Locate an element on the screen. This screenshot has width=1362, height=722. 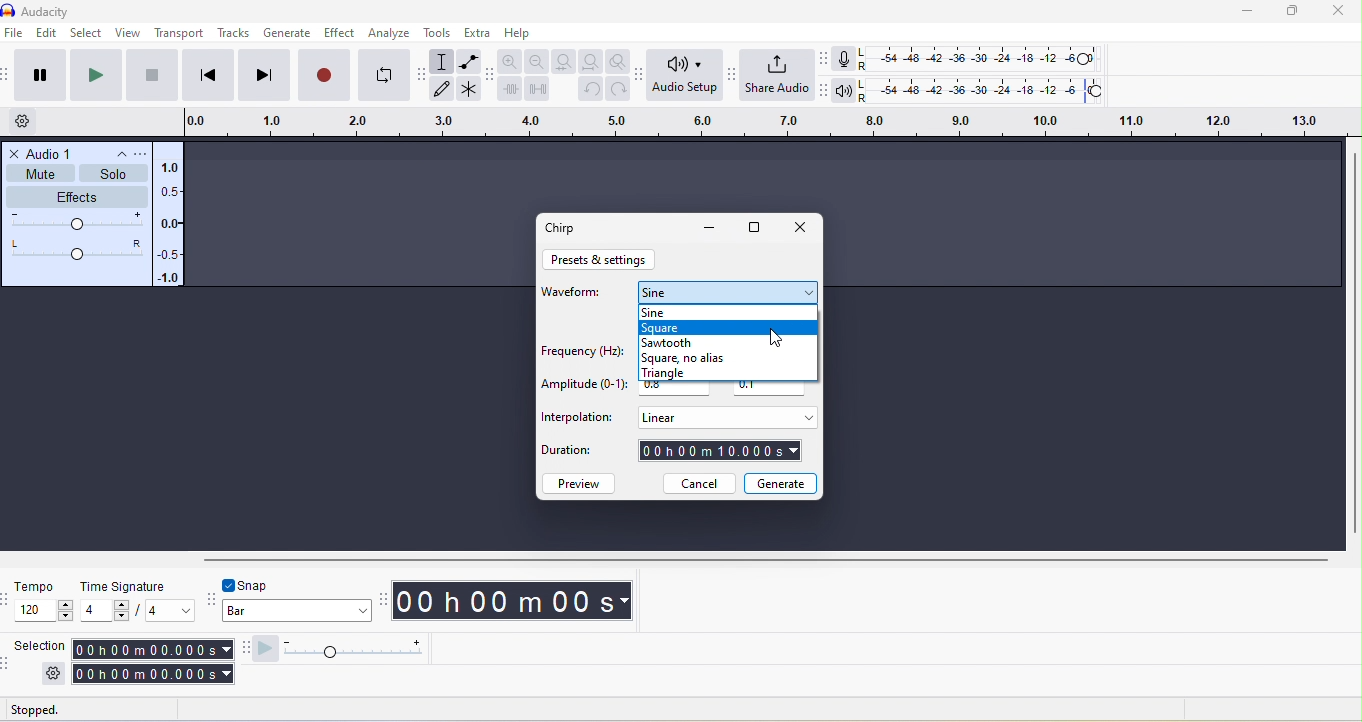
view is located at coordinates (126, 32).